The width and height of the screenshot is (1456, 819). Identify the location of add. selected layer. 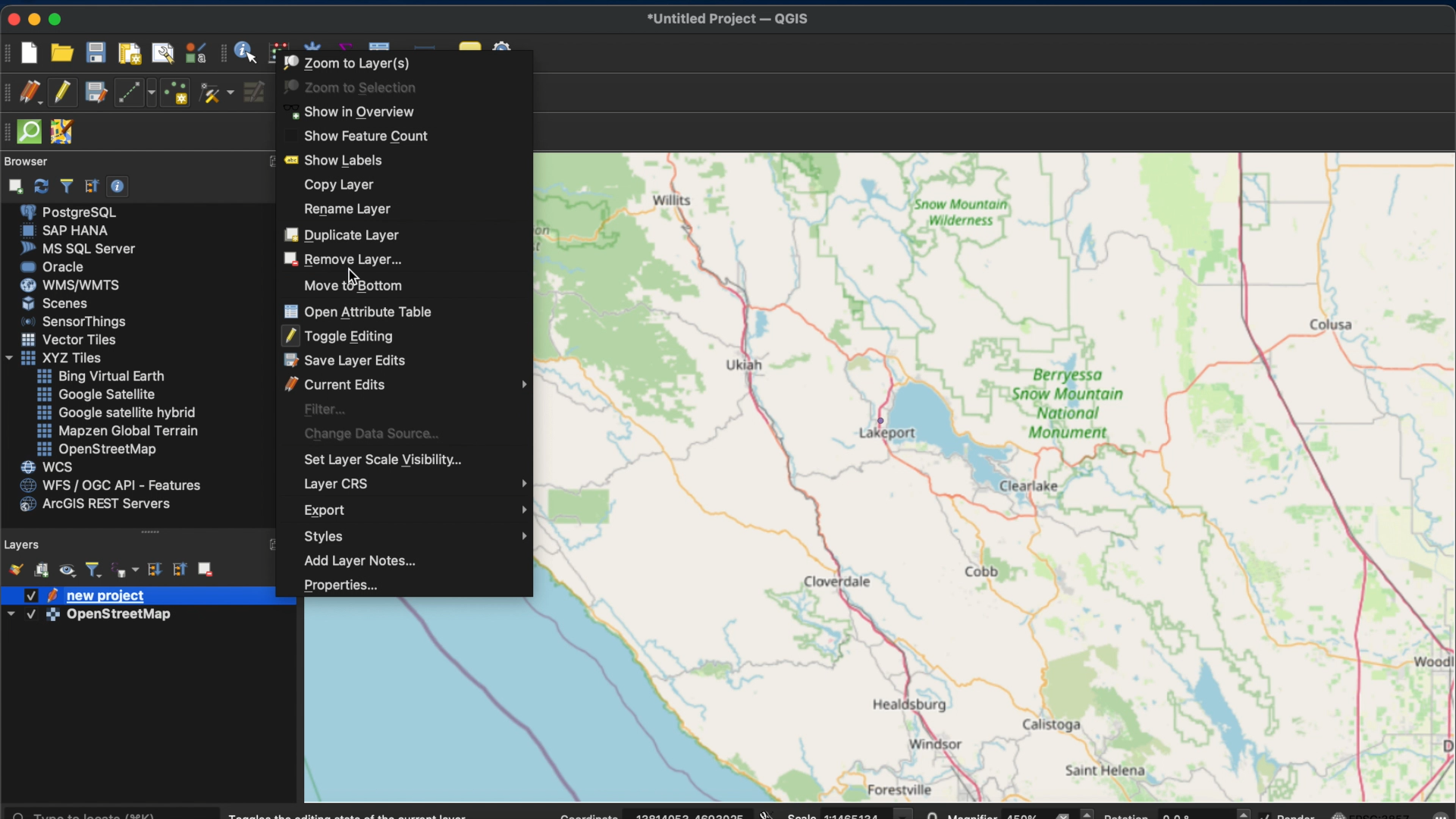
(13, 184).